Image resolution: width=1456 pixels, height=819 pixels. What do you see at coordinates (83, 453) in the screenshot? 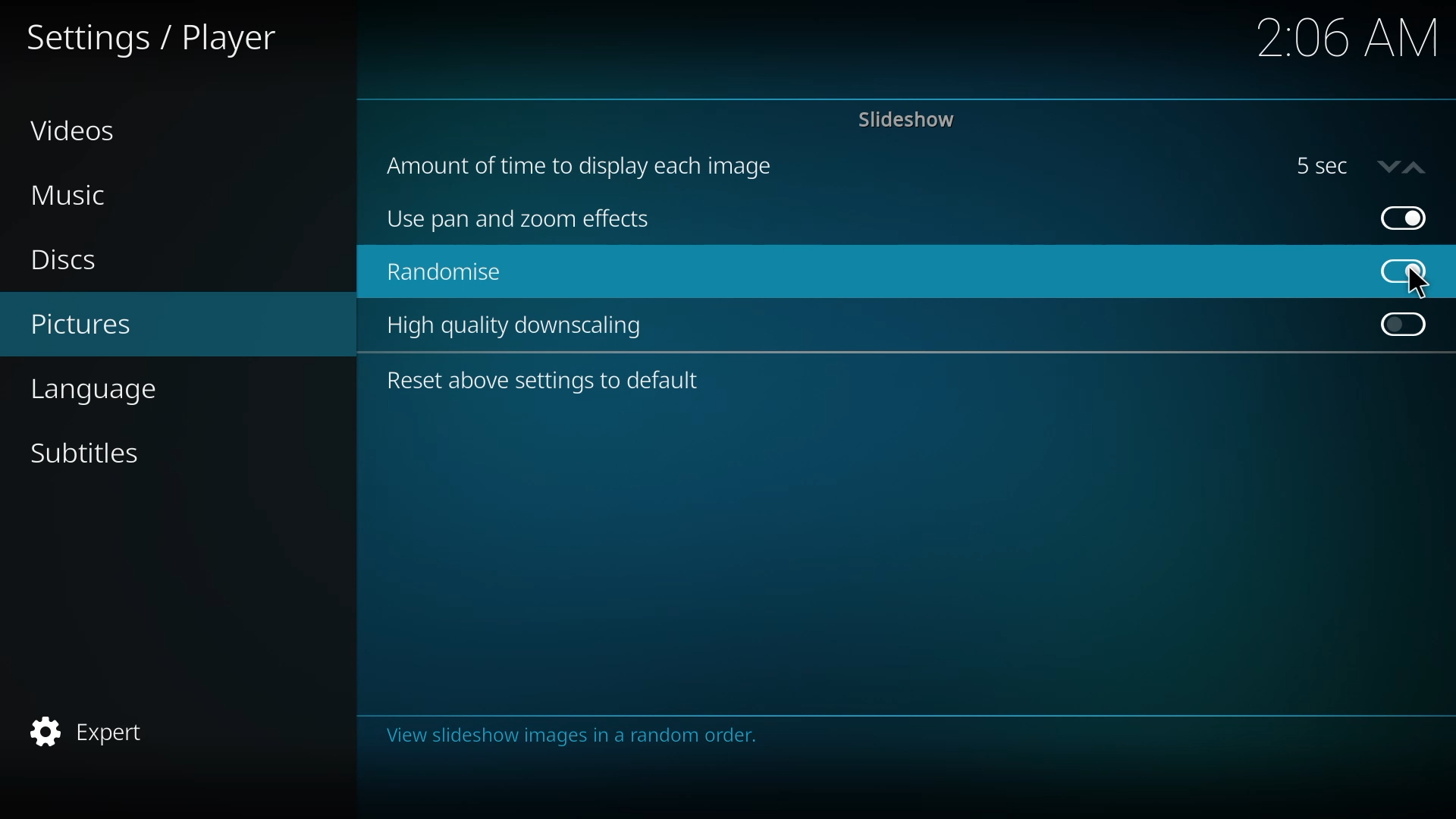
I see `subtitles` at bounding box center [83, 453].